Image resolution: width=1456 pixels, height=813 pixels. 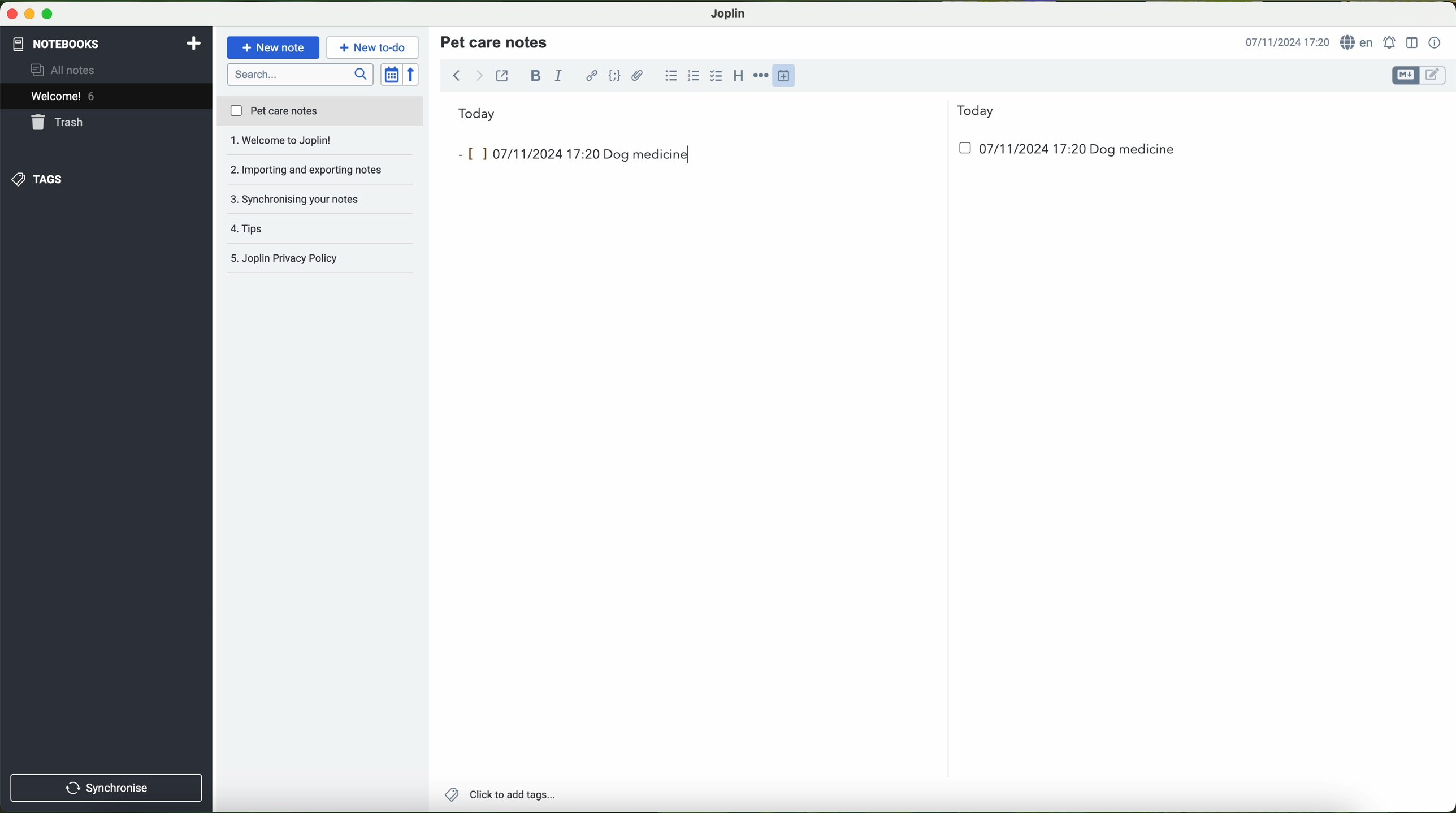 What do you see at coordinates (739, 75) in the screenshot?
I see `heading` at bounding box center [739, 75].